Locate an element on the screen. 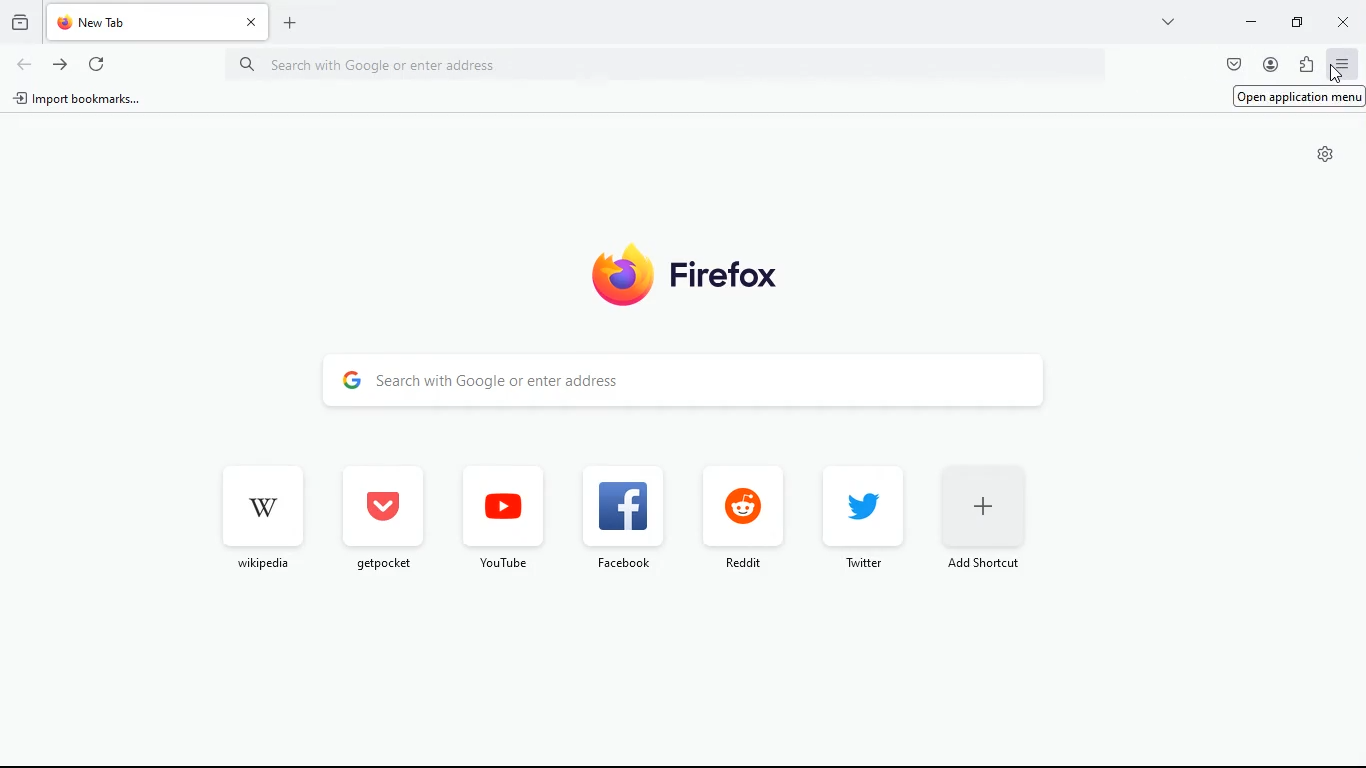 Image resolution: width=1366 pixels, height=768 pixels. add tab is located at coordinates (293, 24).